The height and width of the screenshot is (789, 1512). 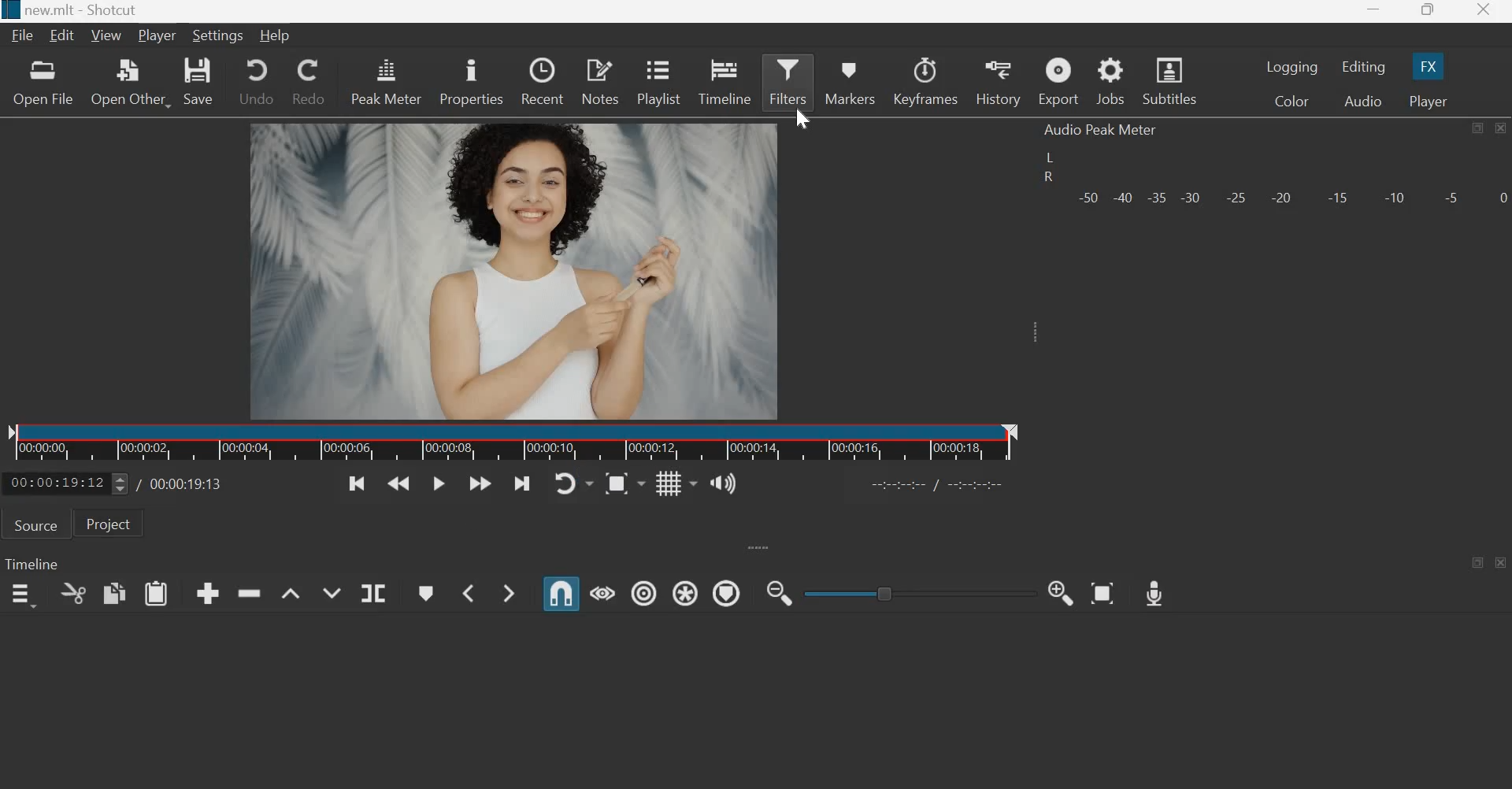 I want to click on Zoom Timeline to Fit, so click(x=1103, y=589).